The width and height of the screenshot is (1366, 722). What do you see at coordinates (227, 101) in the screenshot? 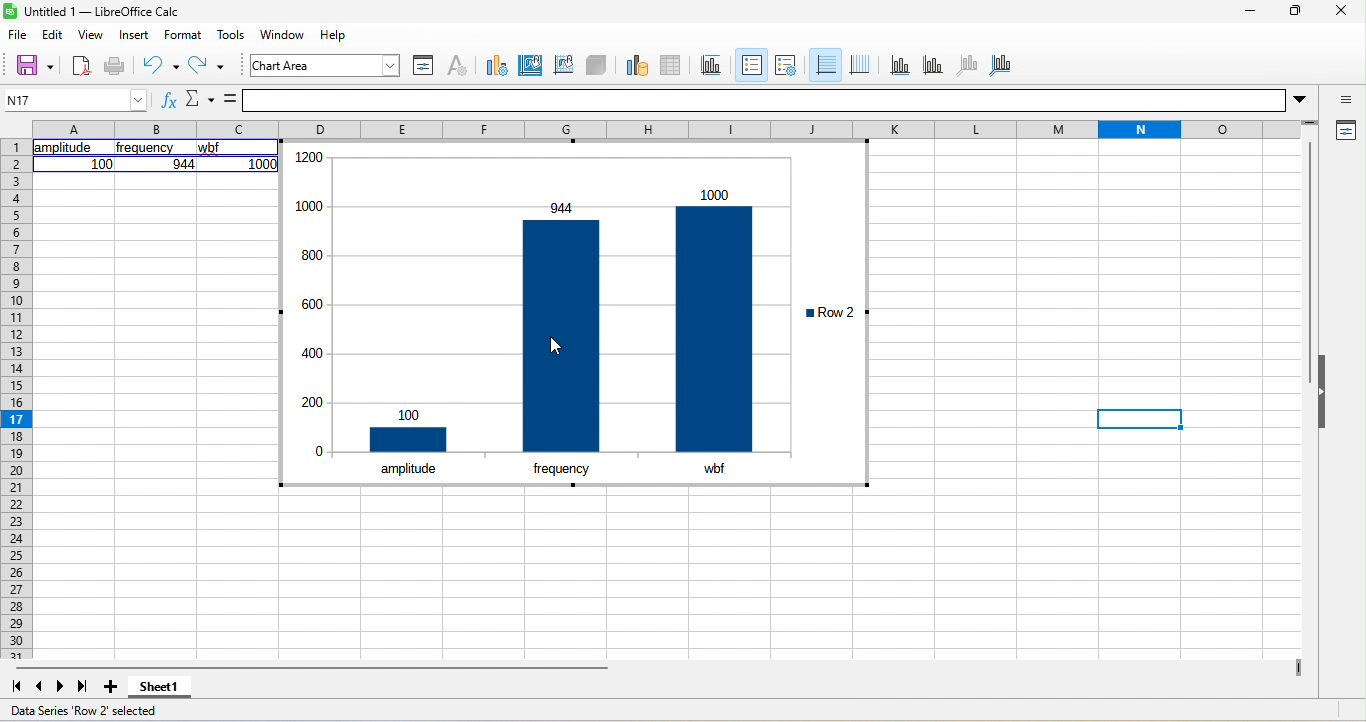
I see `formula` at bounding box center [227, 101].